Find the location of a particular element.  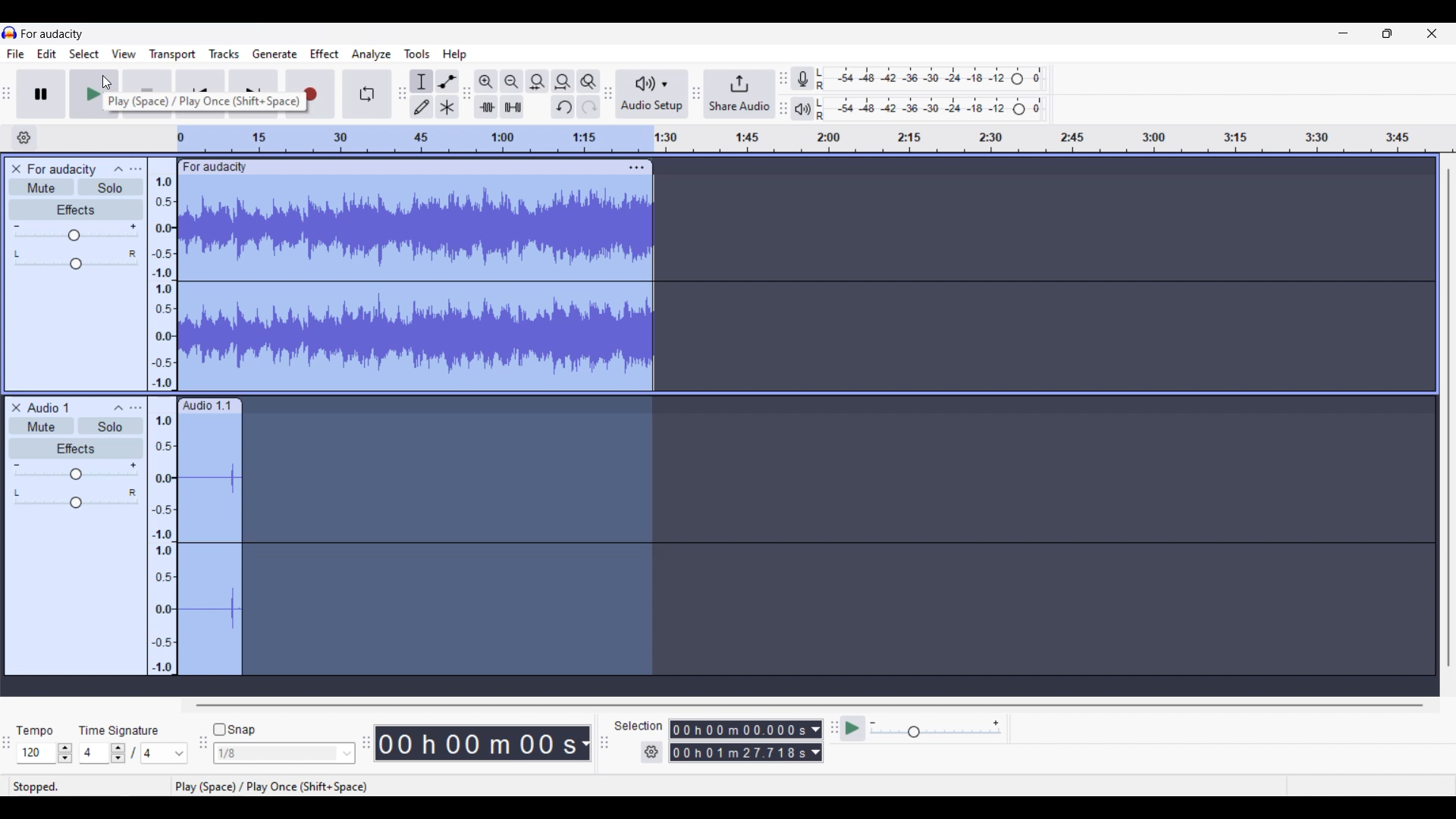

Fit project to width is located at coordinates (563, 82).